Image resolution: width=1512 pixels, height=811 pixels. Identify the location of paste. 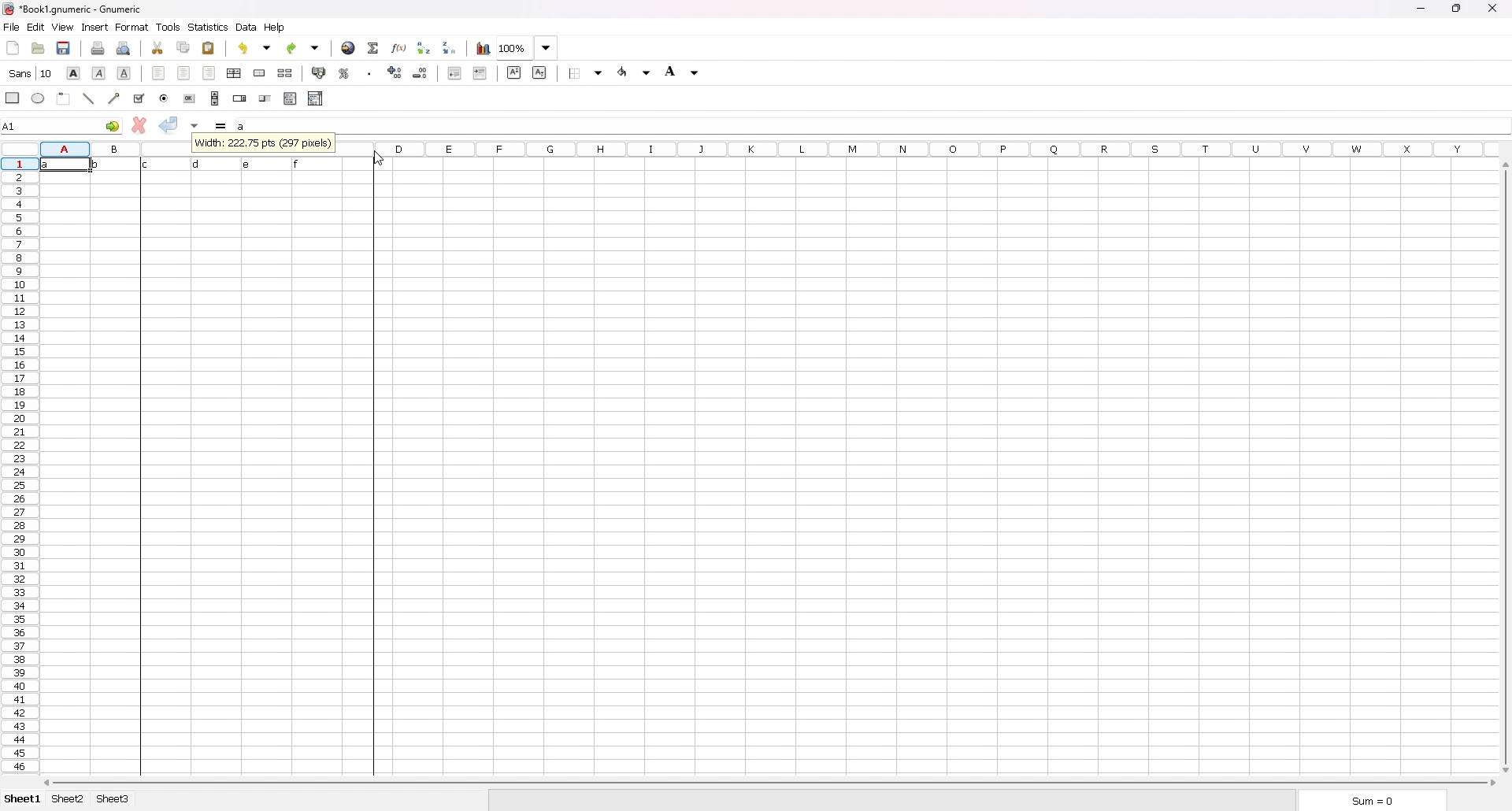
(209, 47).